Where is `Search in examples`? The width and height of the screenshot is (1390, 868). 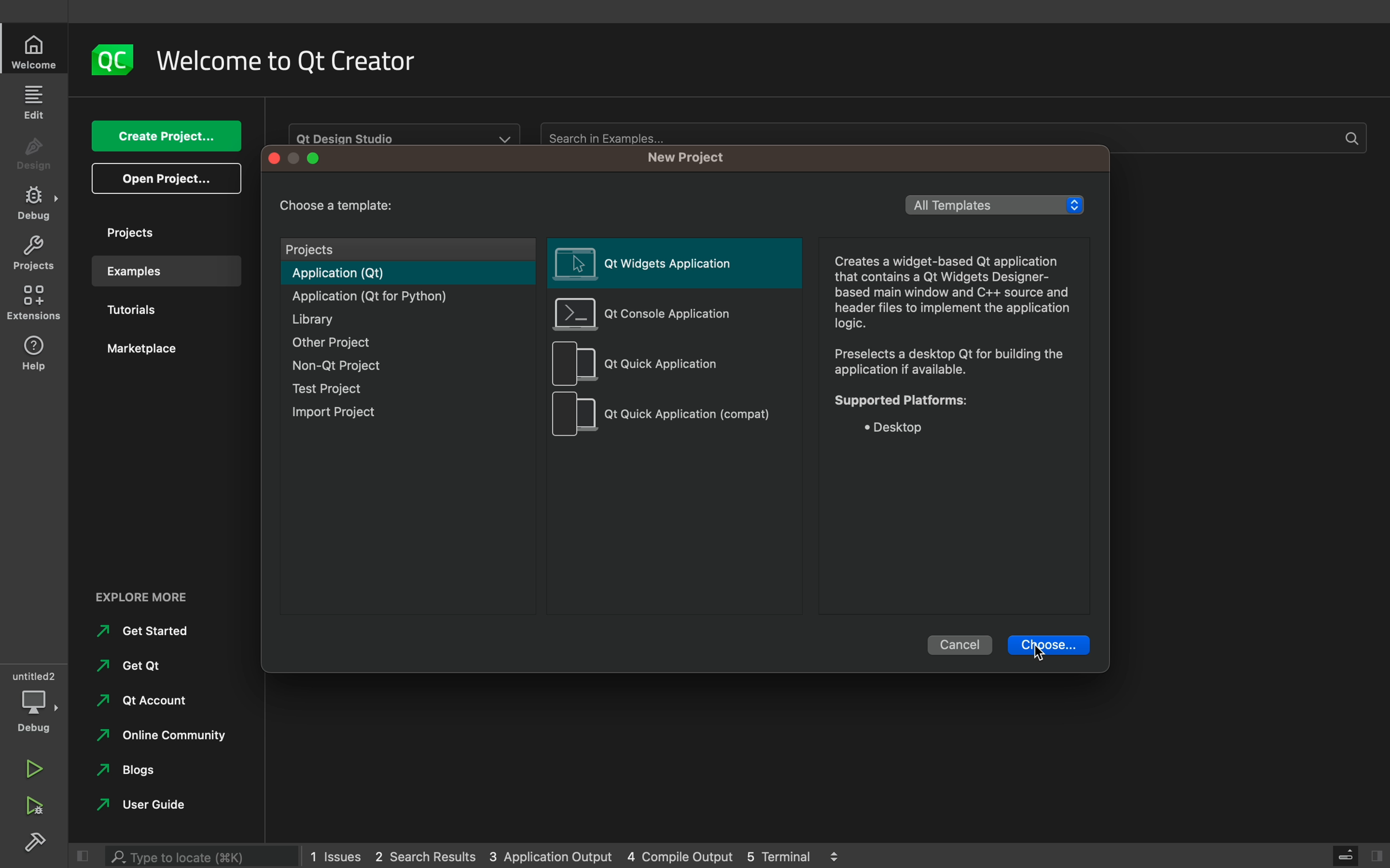 Search in examples is located at coordinates (951, 138).